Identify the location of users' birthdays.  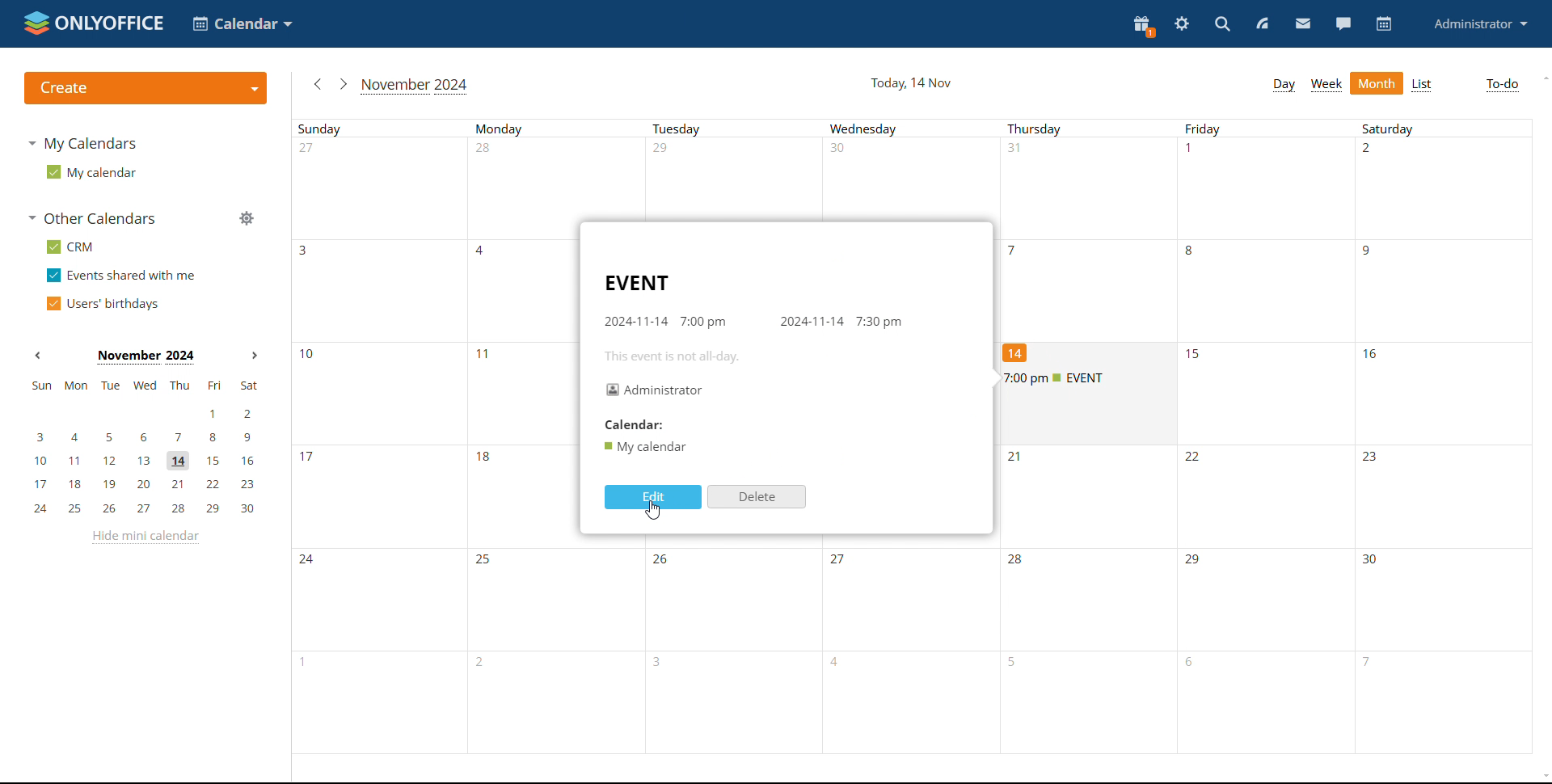
(100, 304).